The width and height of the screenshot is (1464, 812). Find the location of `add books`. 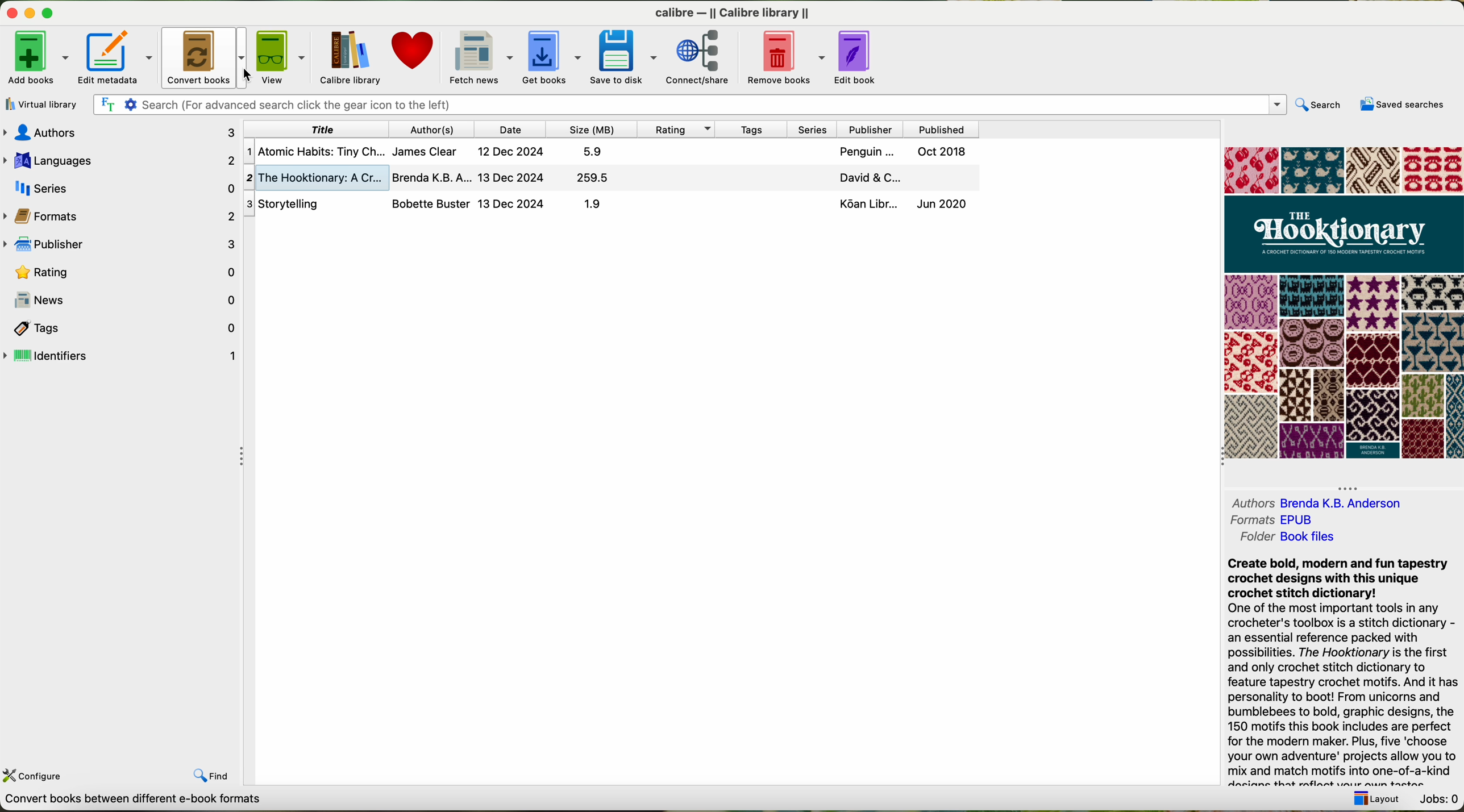

add books is located at coordinates (38, 58).